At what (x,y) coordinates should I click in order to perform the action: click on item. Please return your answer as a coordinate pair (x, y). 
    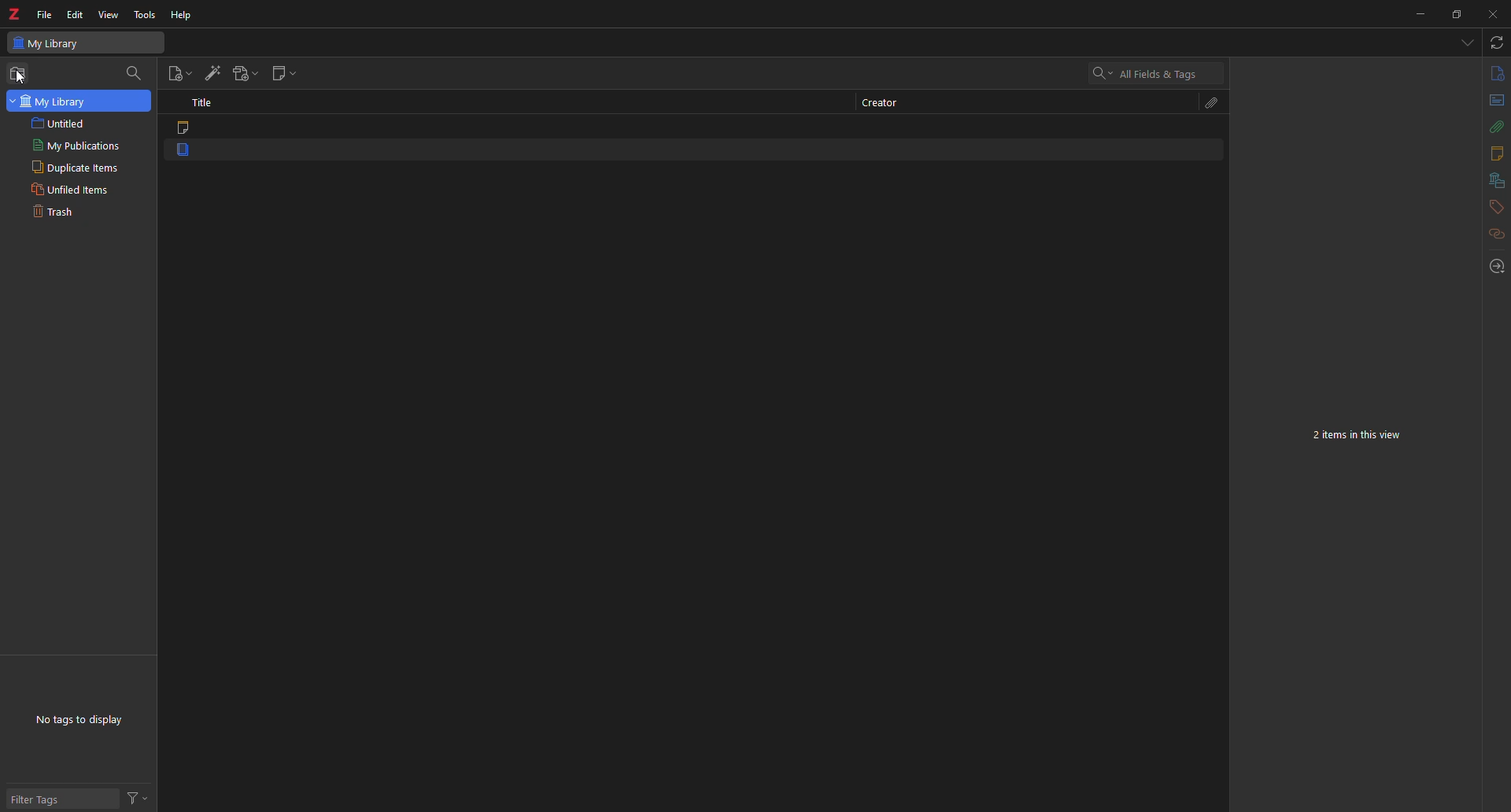
    Looking at the image, I should click on (187, 128).